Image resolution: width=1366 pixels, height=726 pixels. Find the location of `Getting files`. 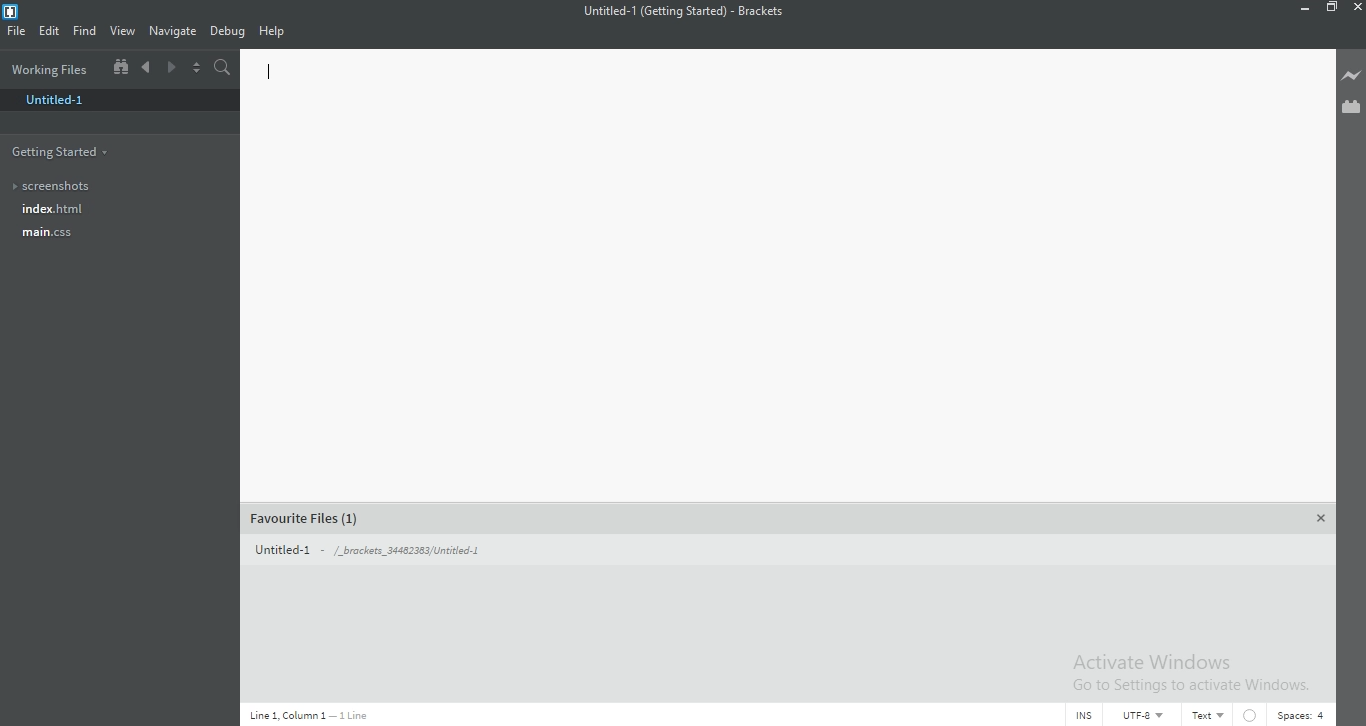

Getting files is located at coordinates (82, 151).